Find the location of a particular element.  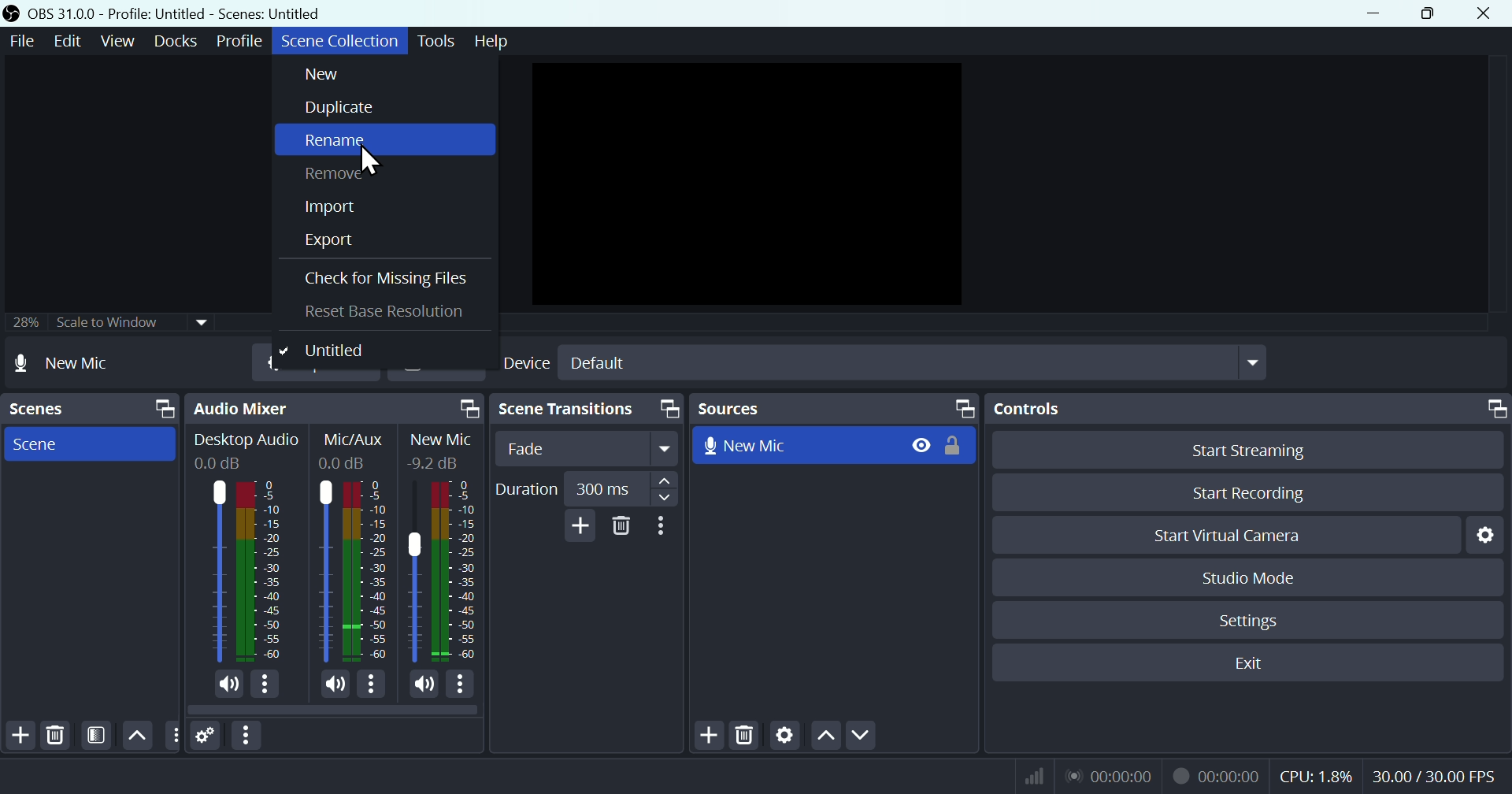

Scene collection is located at coordinates (343, 42).